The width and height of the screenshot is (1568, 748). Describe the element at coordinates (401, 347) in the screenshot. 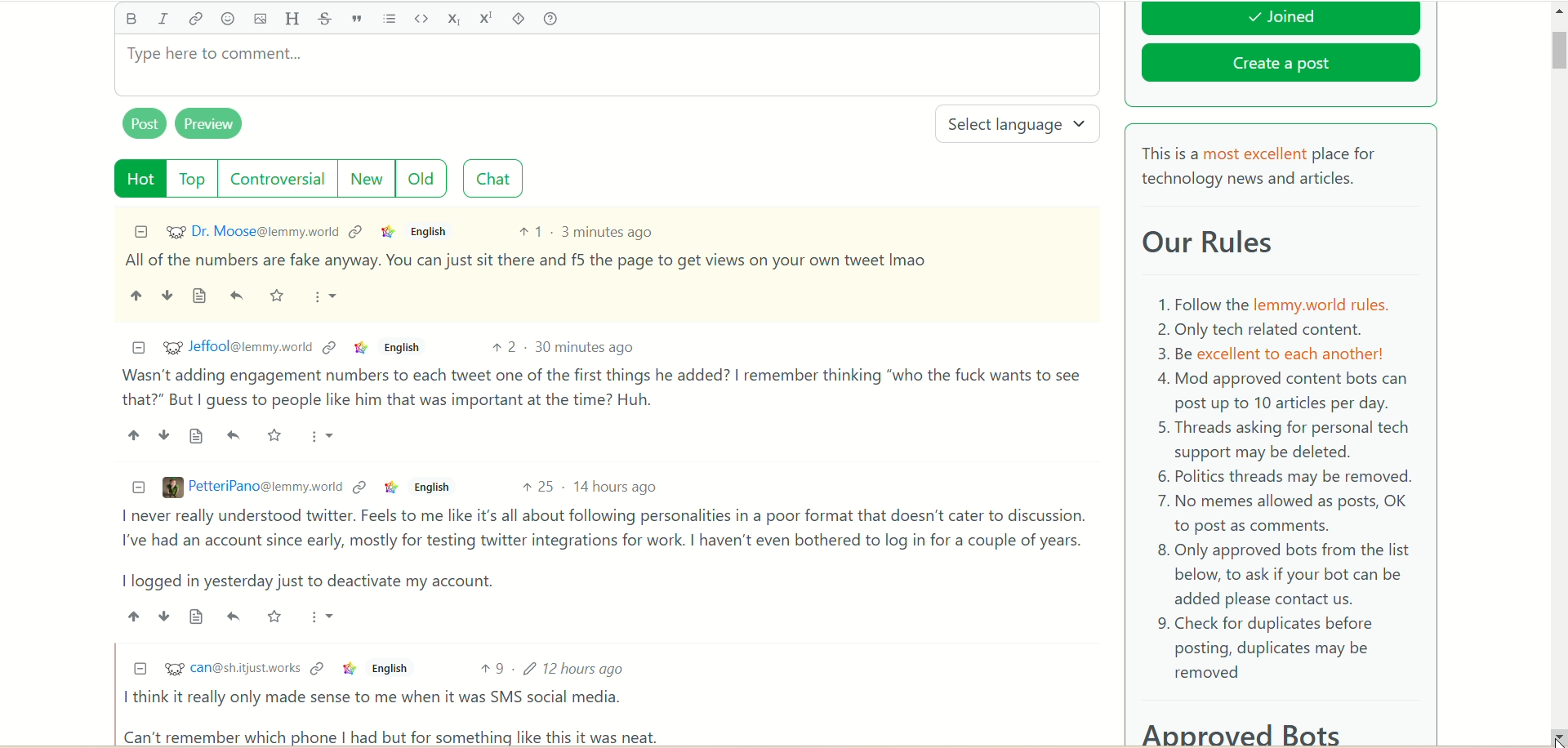

I see `English` at that location.